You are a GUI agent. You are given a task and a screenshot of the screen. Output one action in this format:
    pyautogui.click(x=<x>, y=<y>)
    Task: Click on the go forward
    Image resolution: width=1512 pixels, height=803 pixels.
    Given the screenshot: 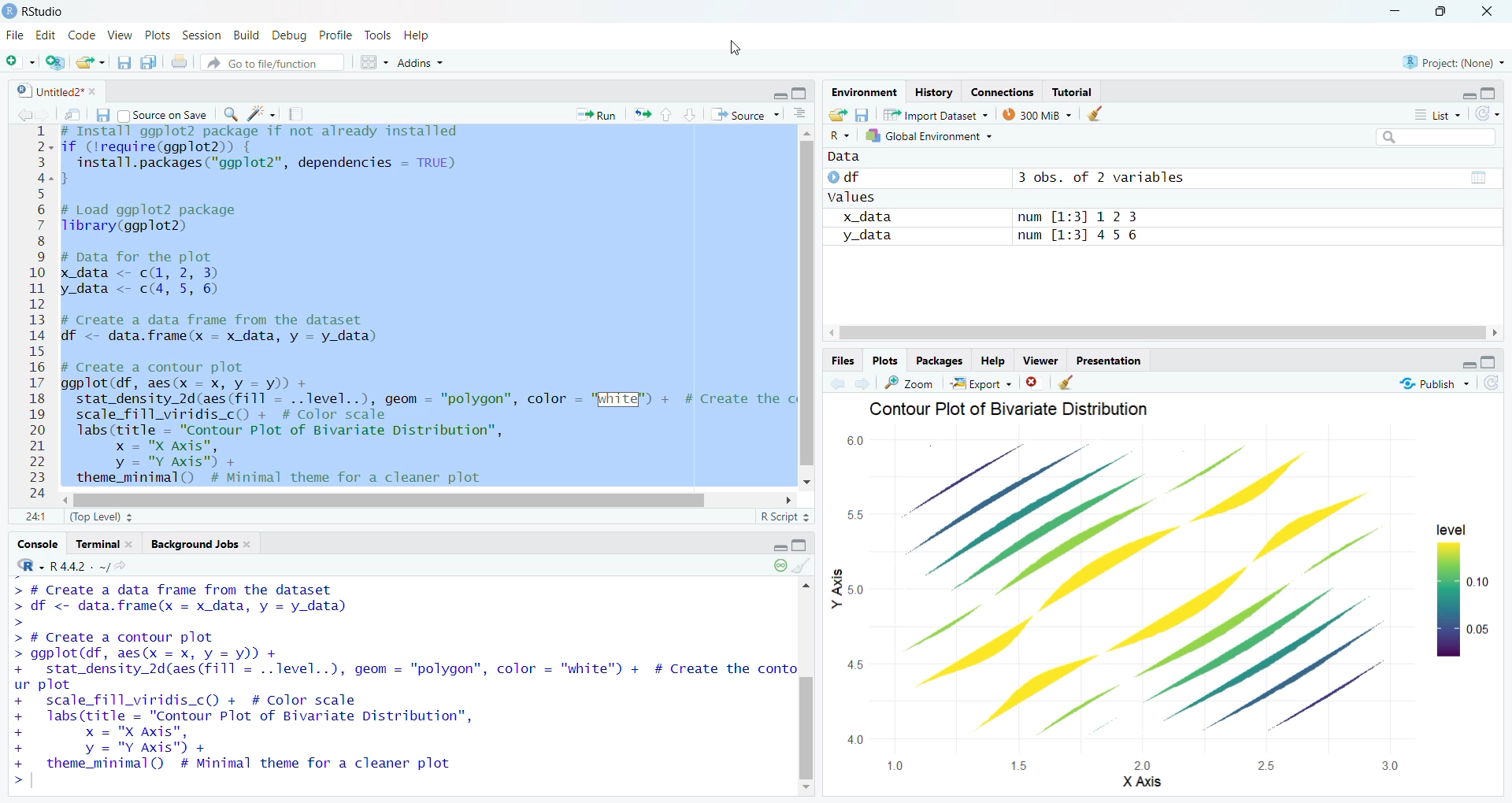 What is the action you would take?
    pyautogui.click(x=861, y=383)
    